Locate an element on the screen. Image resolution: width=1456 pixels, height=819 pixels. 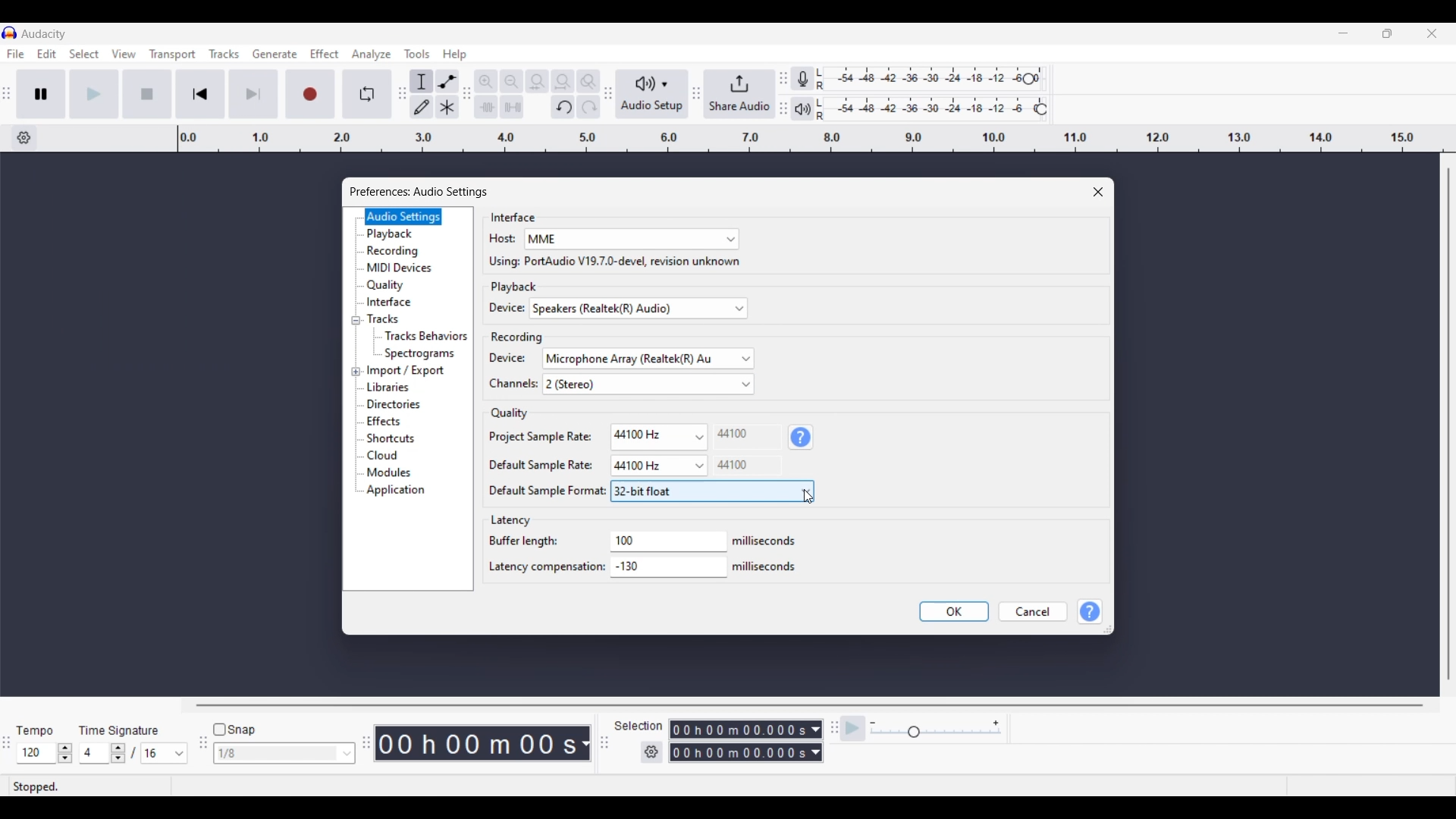
Default sample rate options is located at coordinates (658, 466).